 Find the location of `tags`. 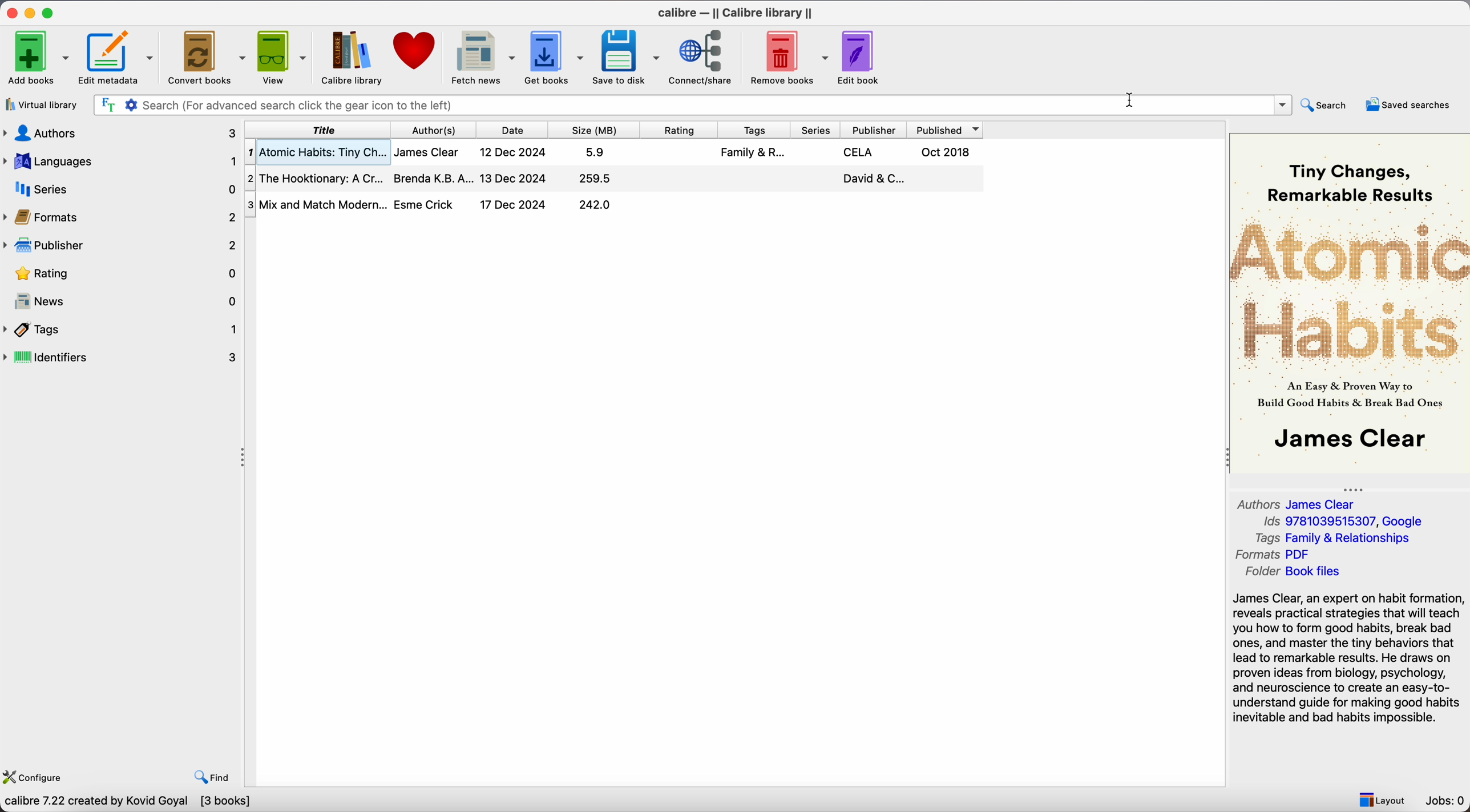

tags is located at coordinates (122, 329).